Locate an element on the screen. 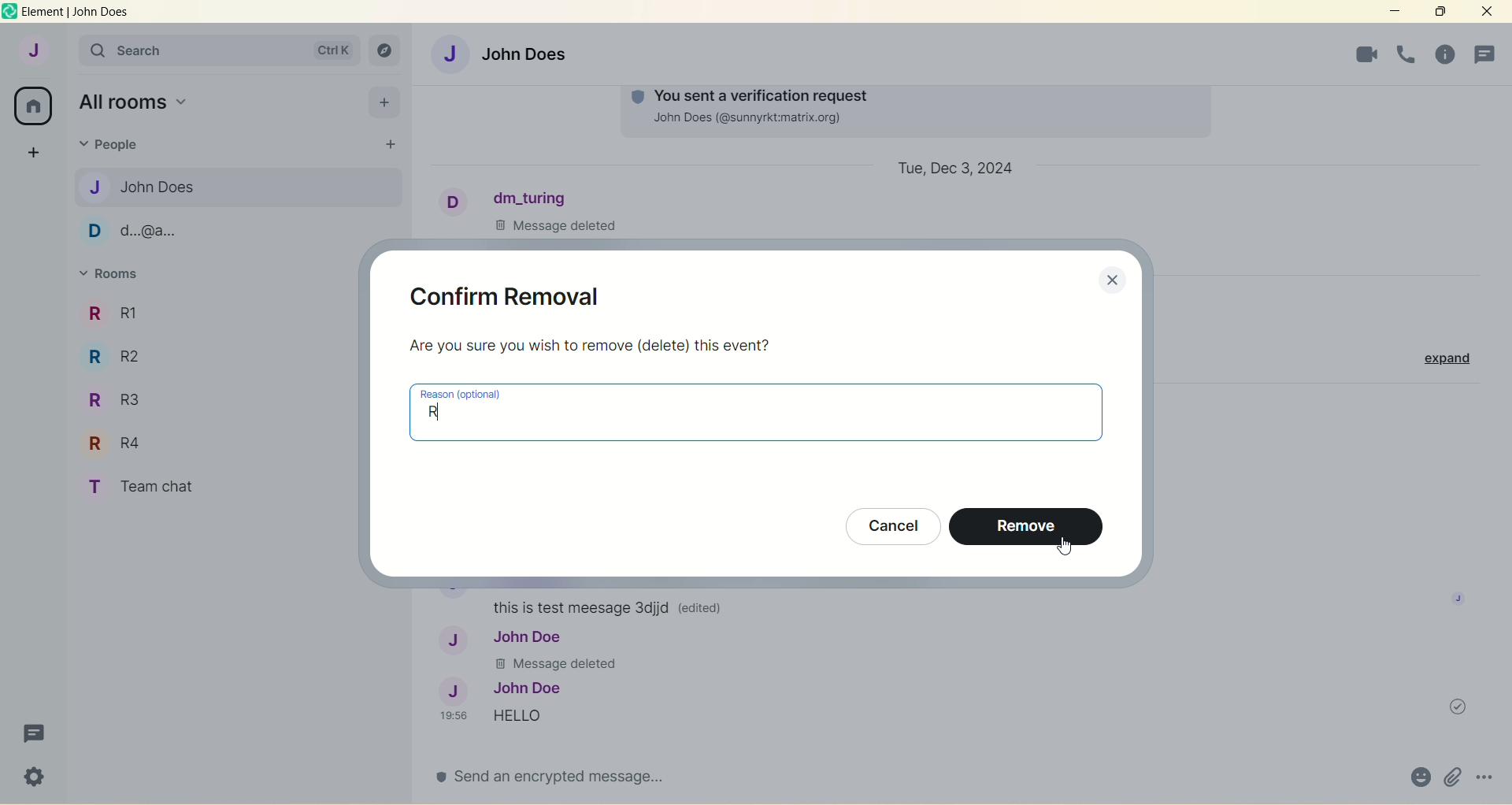 This screenshot has height=805, width=1512. R R3 is located at coordinates (115, 395).